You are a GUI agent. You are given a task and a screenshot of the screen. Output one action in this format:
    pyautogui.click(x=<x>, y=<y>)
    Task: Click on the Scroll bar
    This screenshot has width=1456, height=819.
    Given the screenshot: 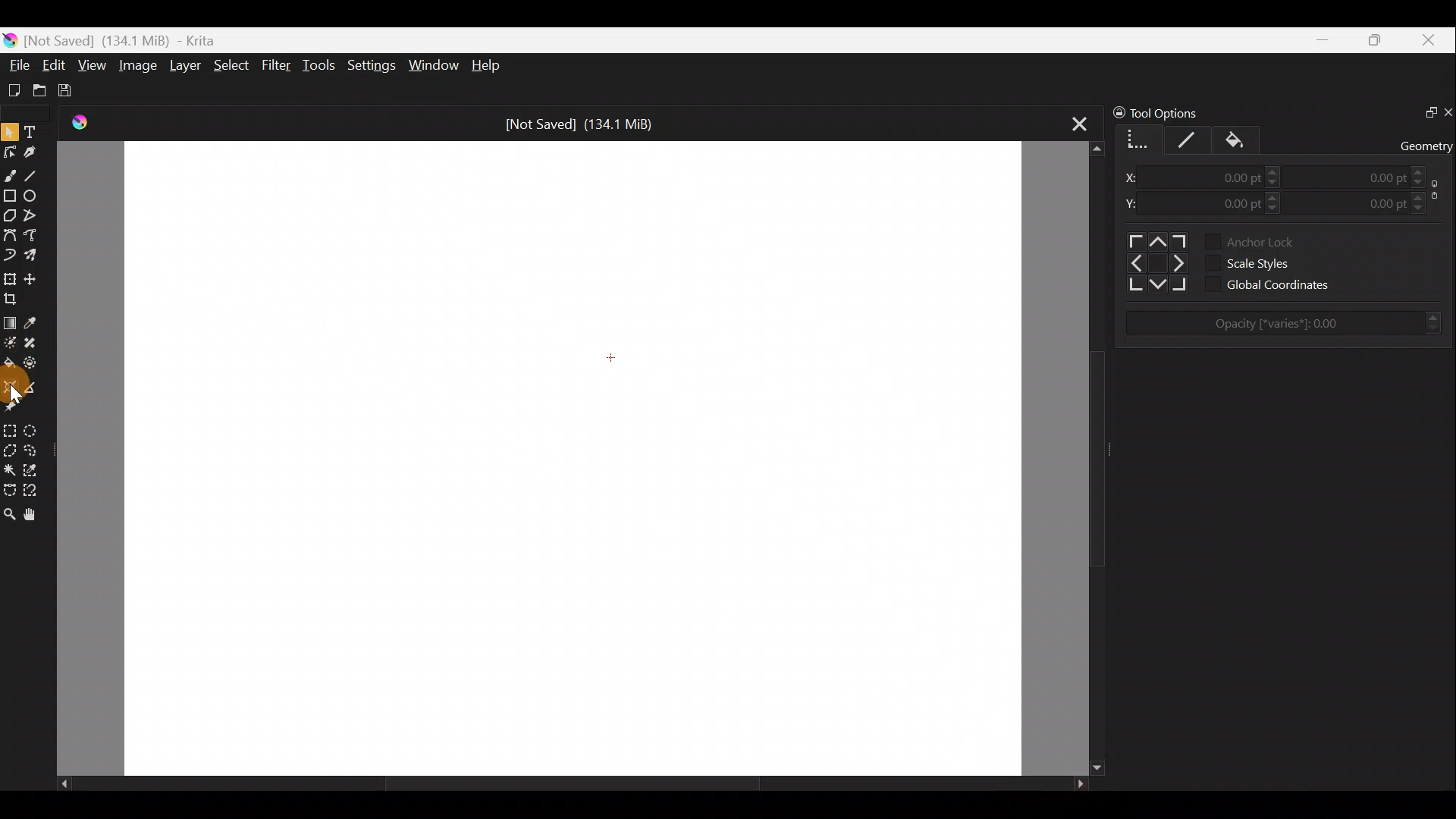 What is the action you would take?
    pyautogui.click(x=1081, y=457)
    